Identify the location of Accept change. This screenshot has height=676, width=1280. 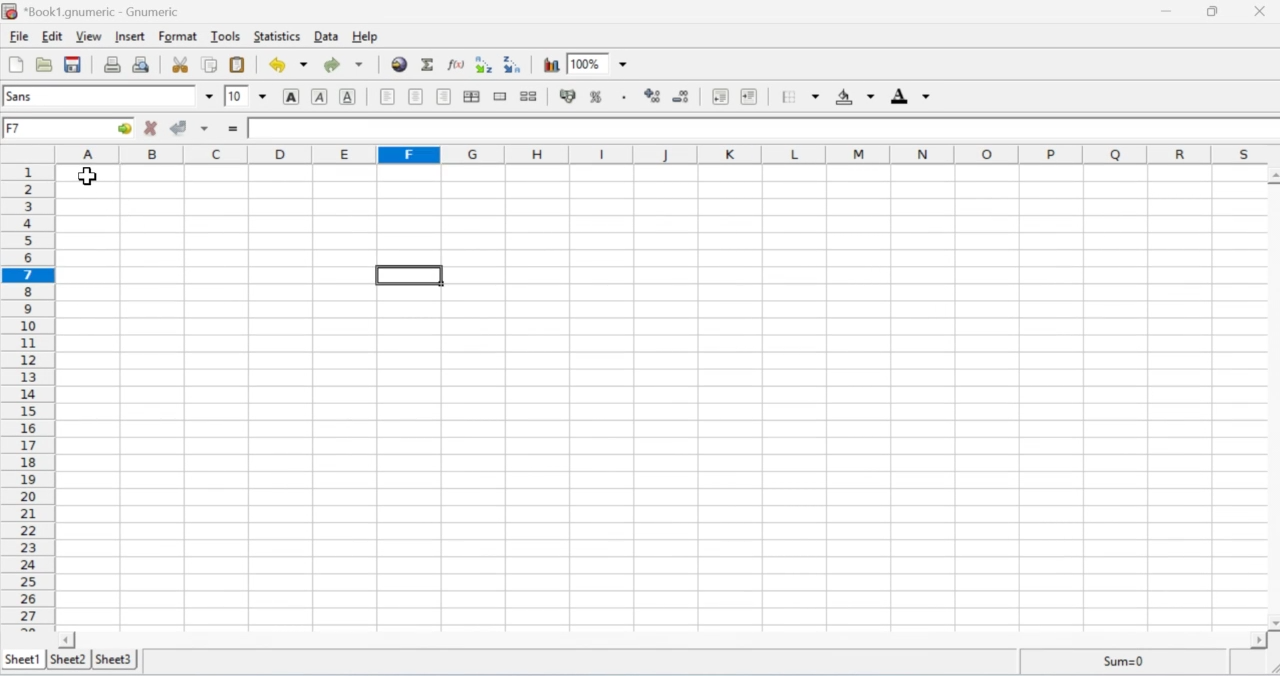
(188, 128).